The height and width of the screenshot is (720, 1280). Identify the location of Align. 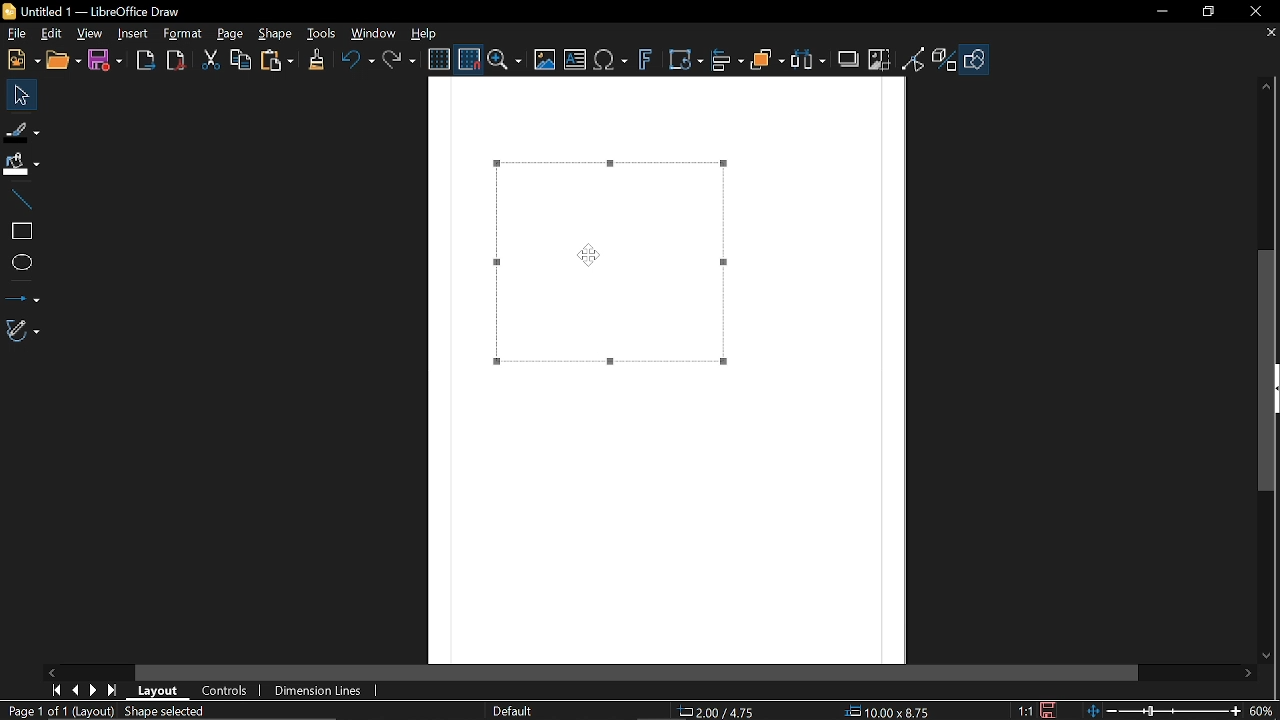
(728, 61).